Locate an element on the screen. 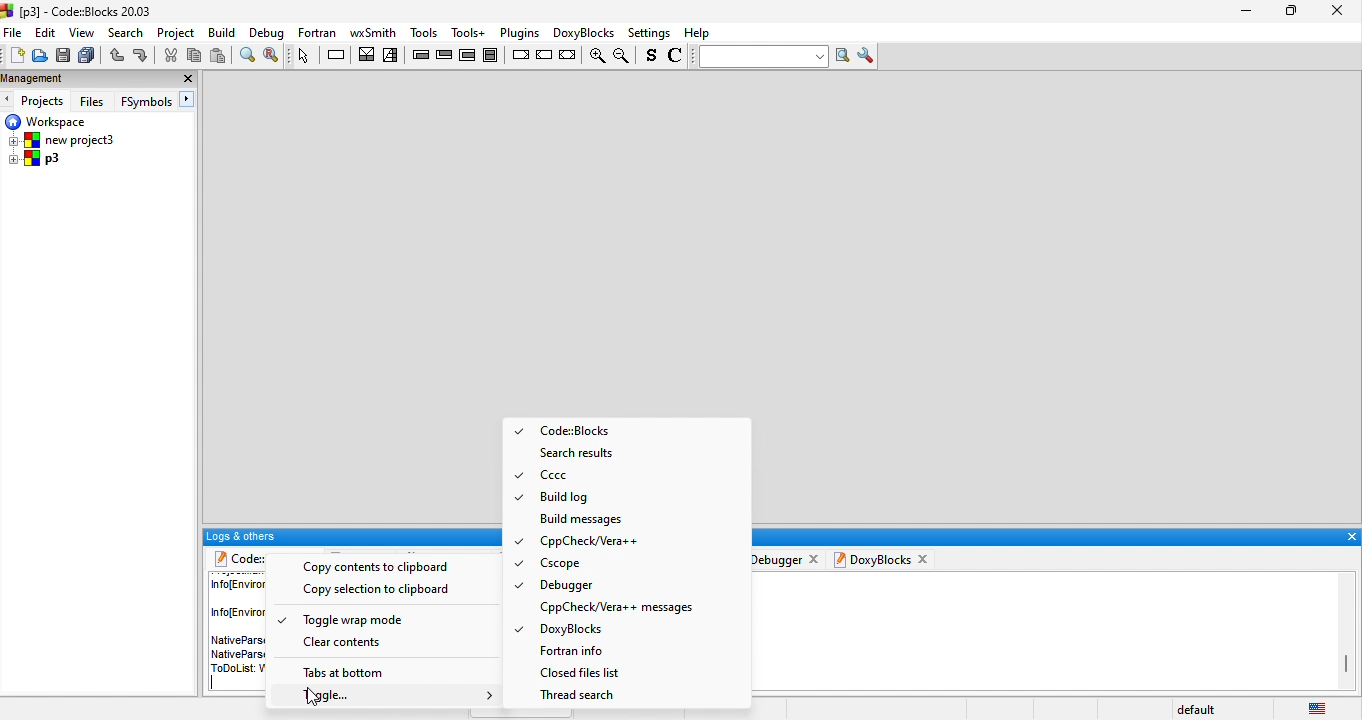  toggle source is located at coordinates (652, 57).